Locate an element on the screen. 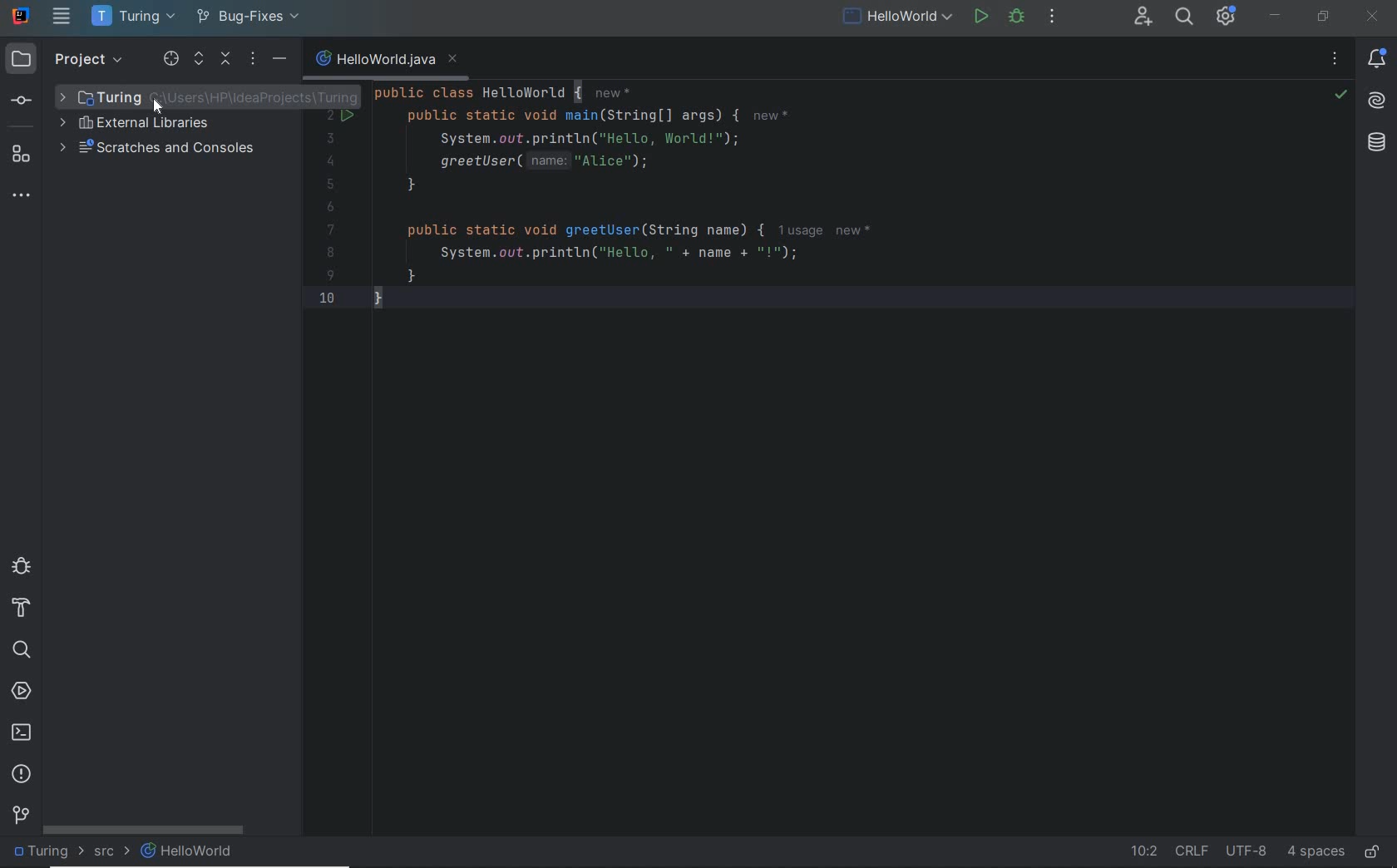 The height and width of the screenshot is (868, 1397). build is located at coordinates (21, 609).